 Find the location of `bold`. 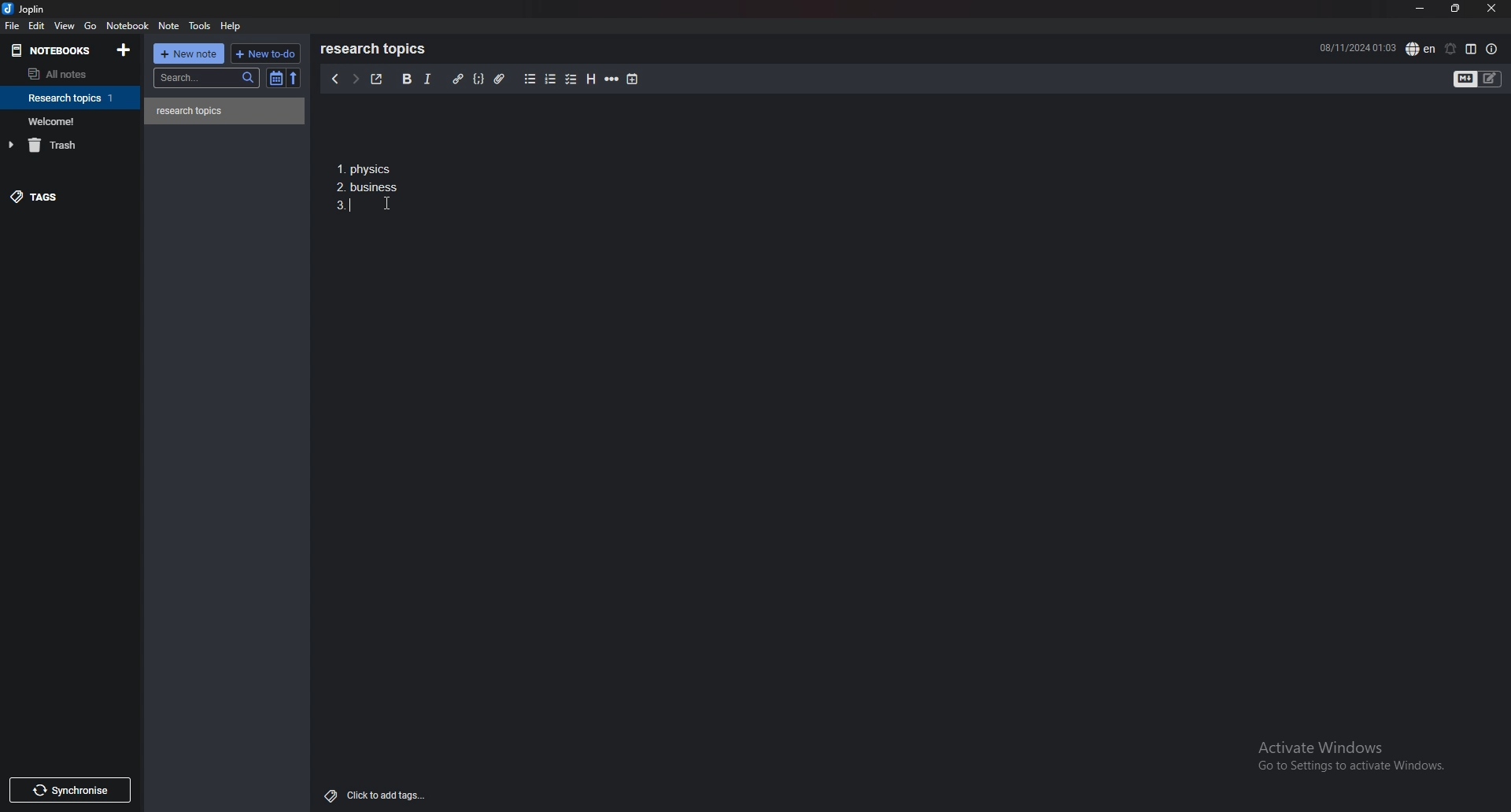

bold is located at coordinates (405, 79).